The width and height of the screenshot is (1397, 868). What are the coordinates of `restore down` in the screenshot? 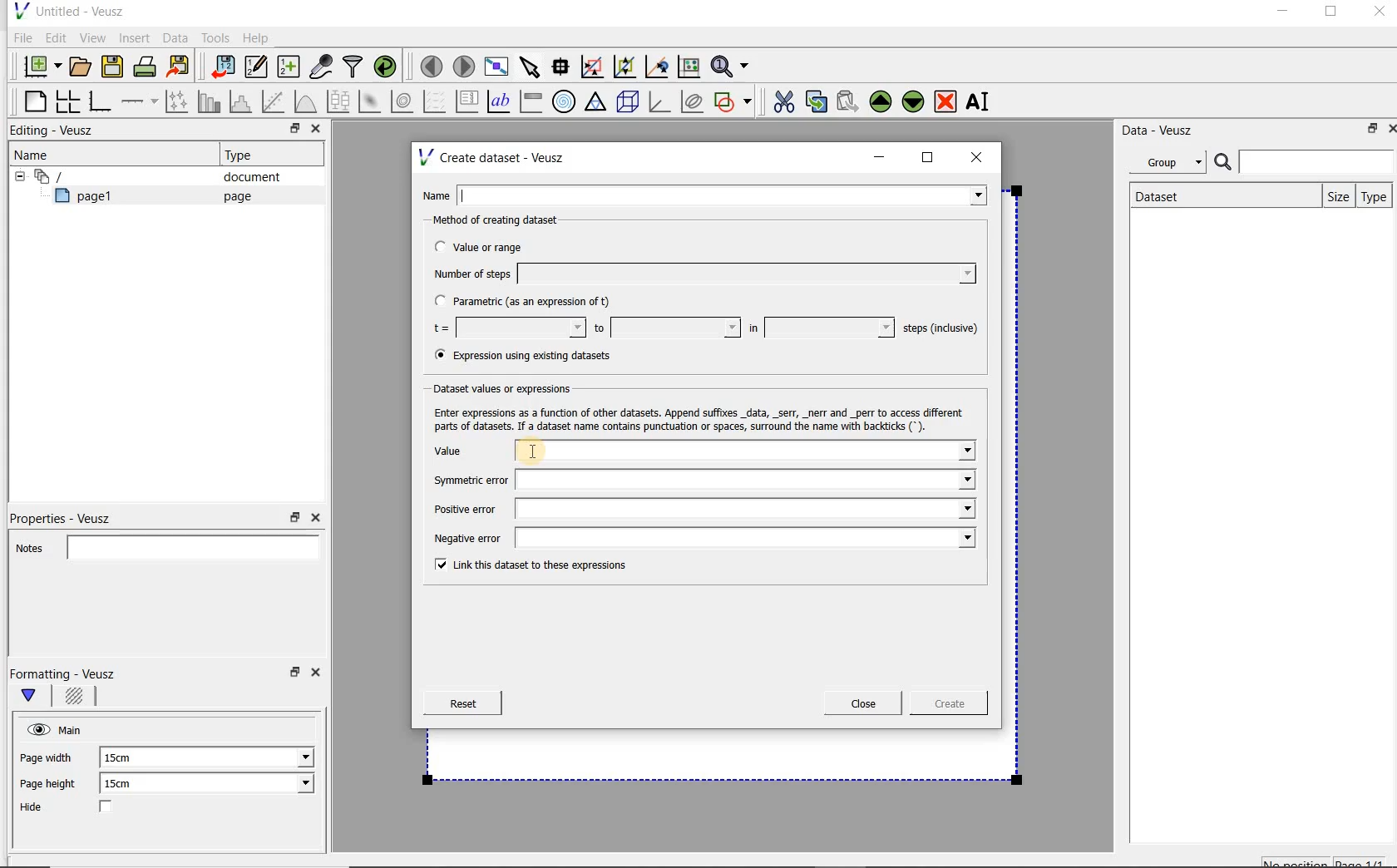 It's located at (293, 677).